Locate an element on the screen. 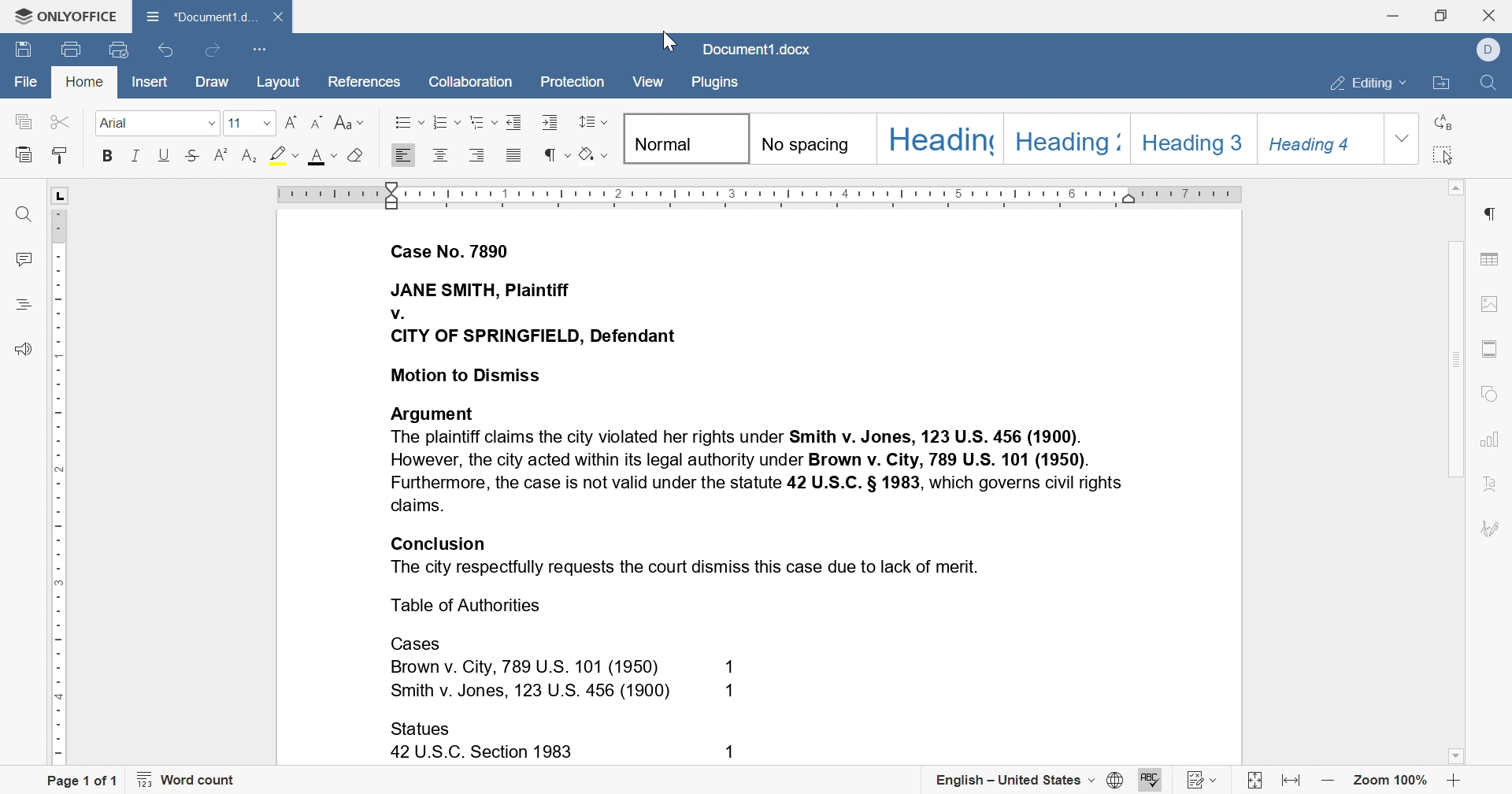 The height and width of the screenshot is (794, 1512). superscript is located at coordinates (247, 155).